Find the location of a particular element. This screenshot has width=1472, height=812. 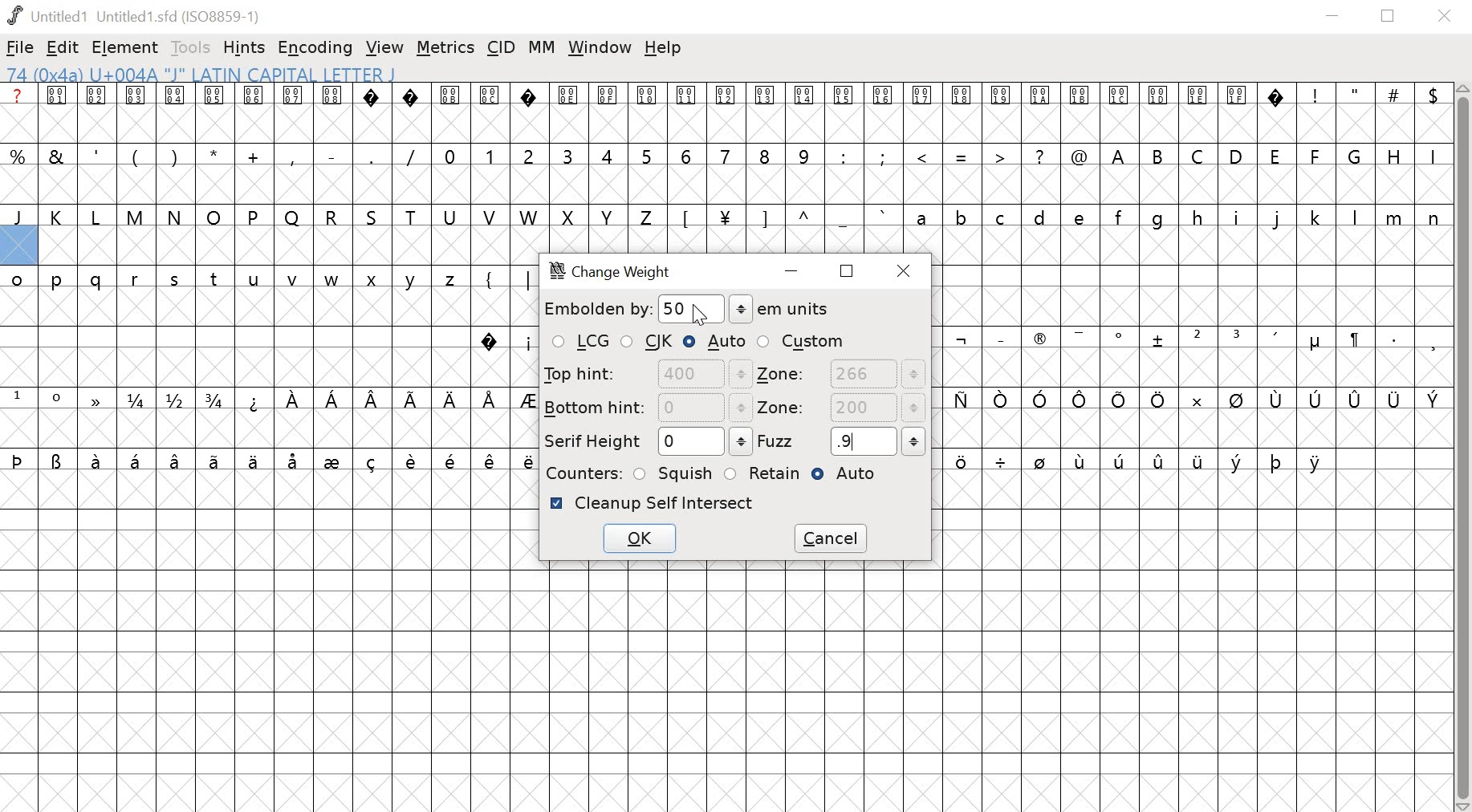

RETAIN is located at coordinates (762, 473).